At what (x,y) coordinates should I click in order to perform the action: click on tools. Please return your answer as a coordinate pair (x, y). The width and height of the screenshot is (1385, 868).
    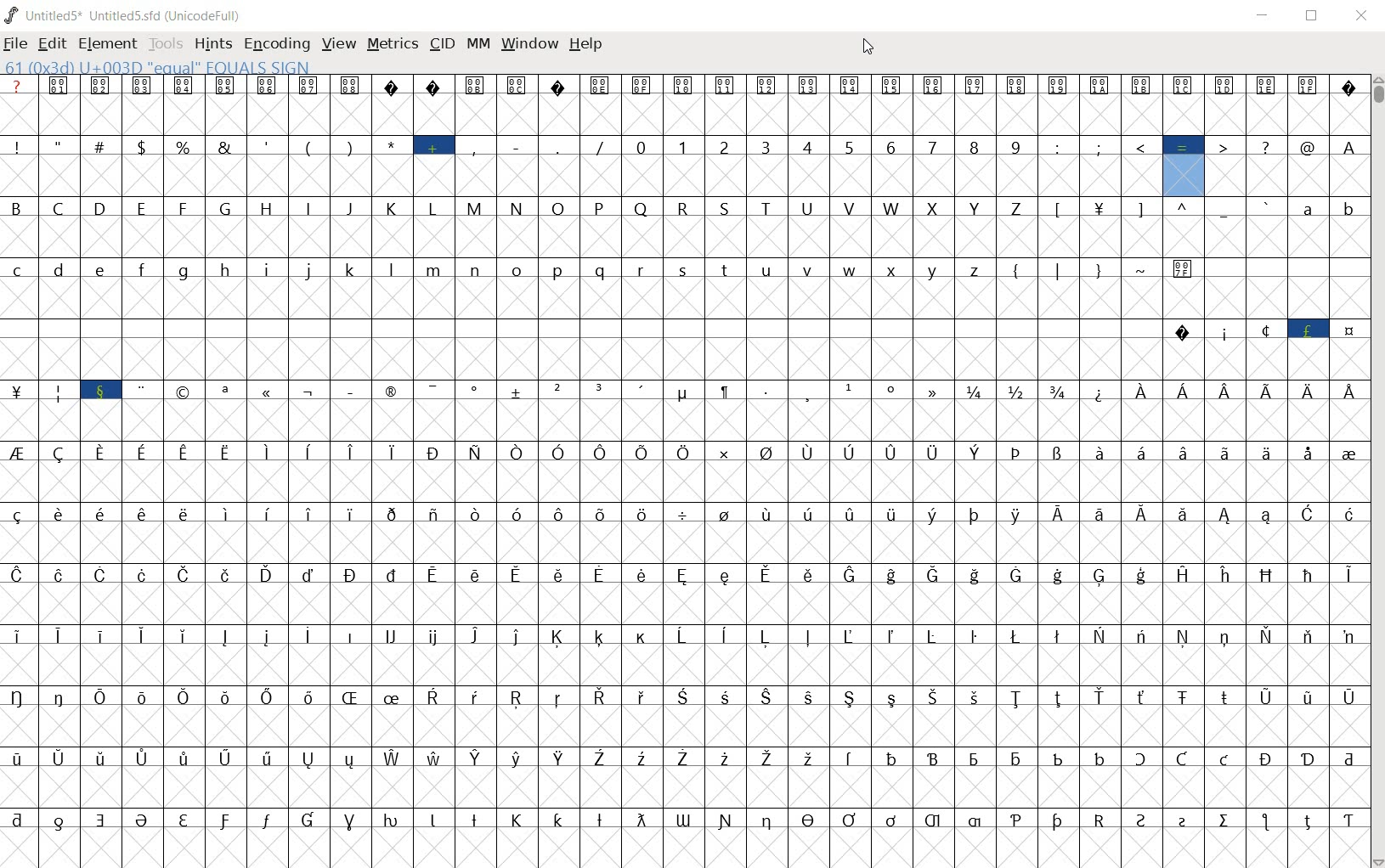
    Looking at the image, I should click on (166, 45).